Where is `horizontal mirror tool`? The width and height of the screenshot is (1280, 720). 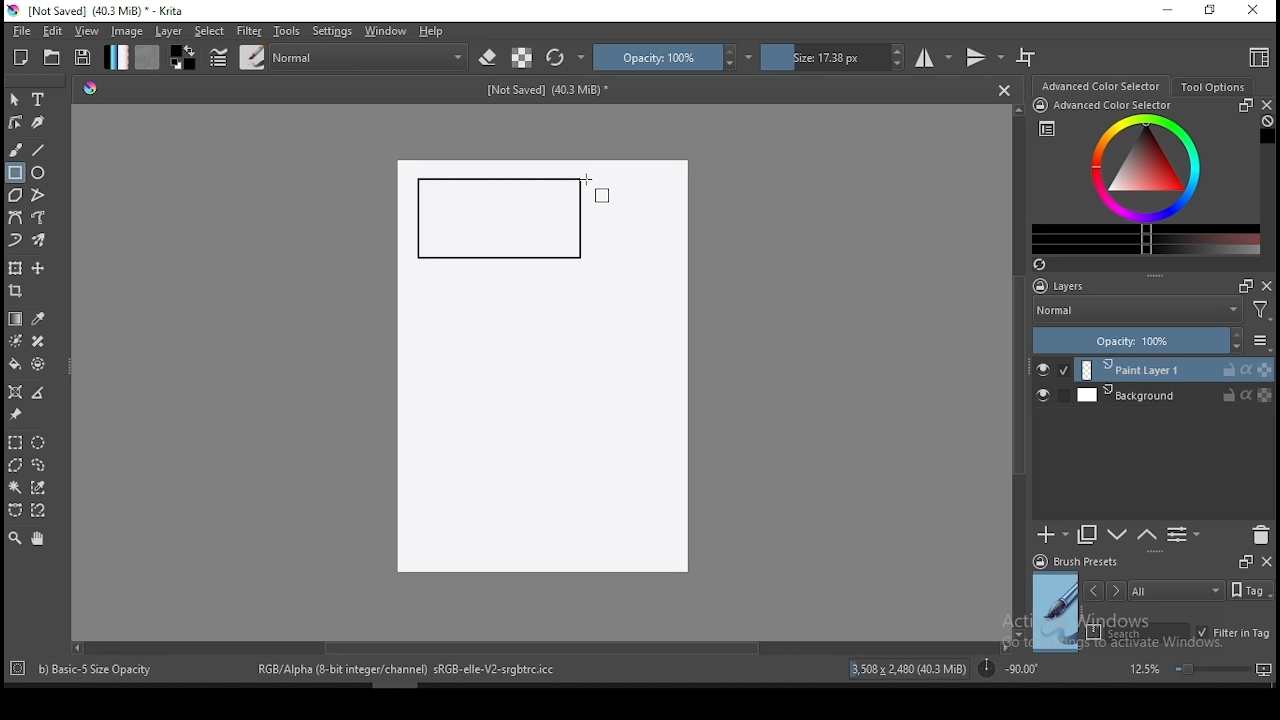 horizontal mirror tool is located at coordinates (934, 57).